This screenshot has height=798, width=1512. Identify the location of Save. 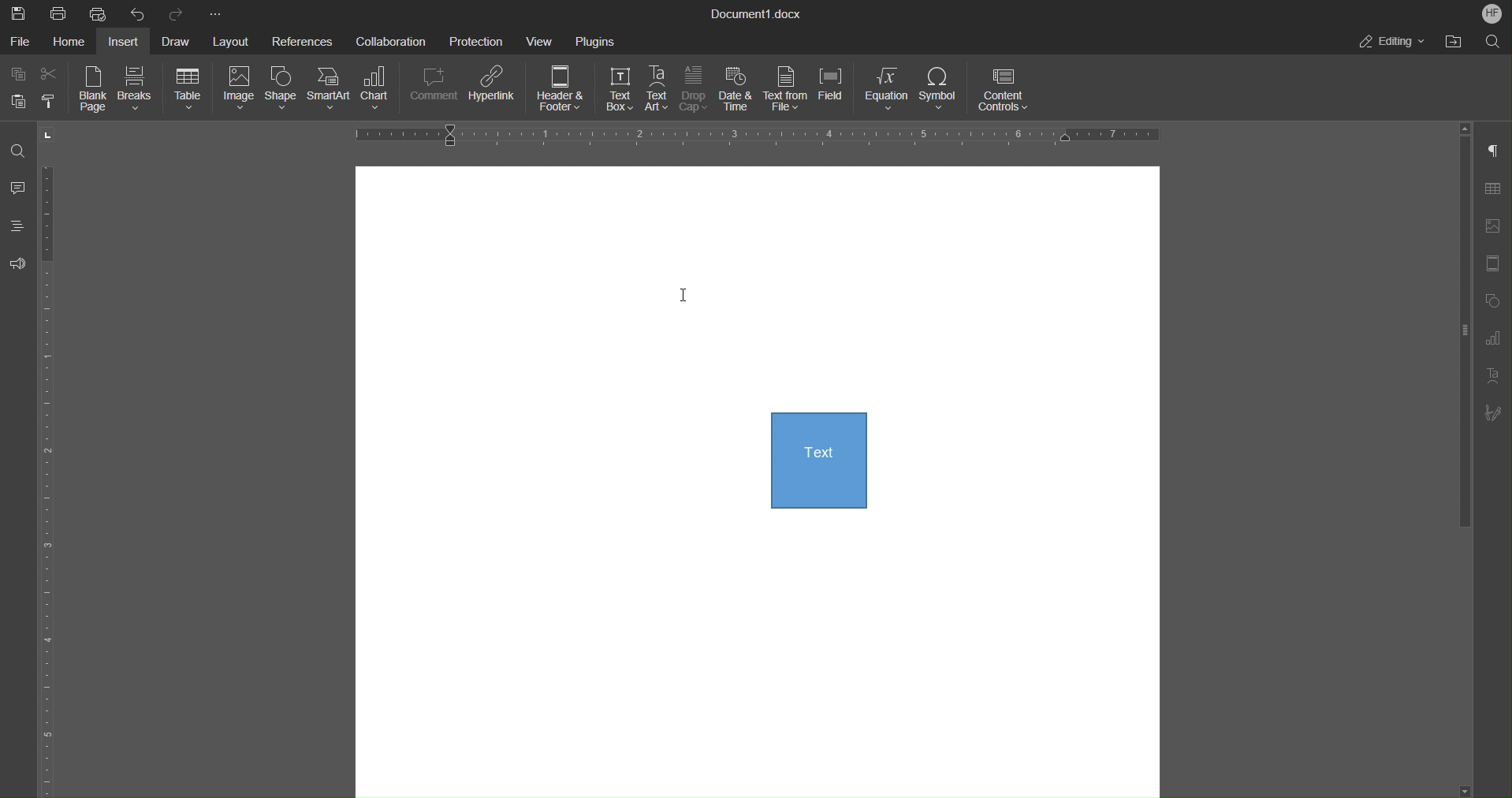
(16, 12).